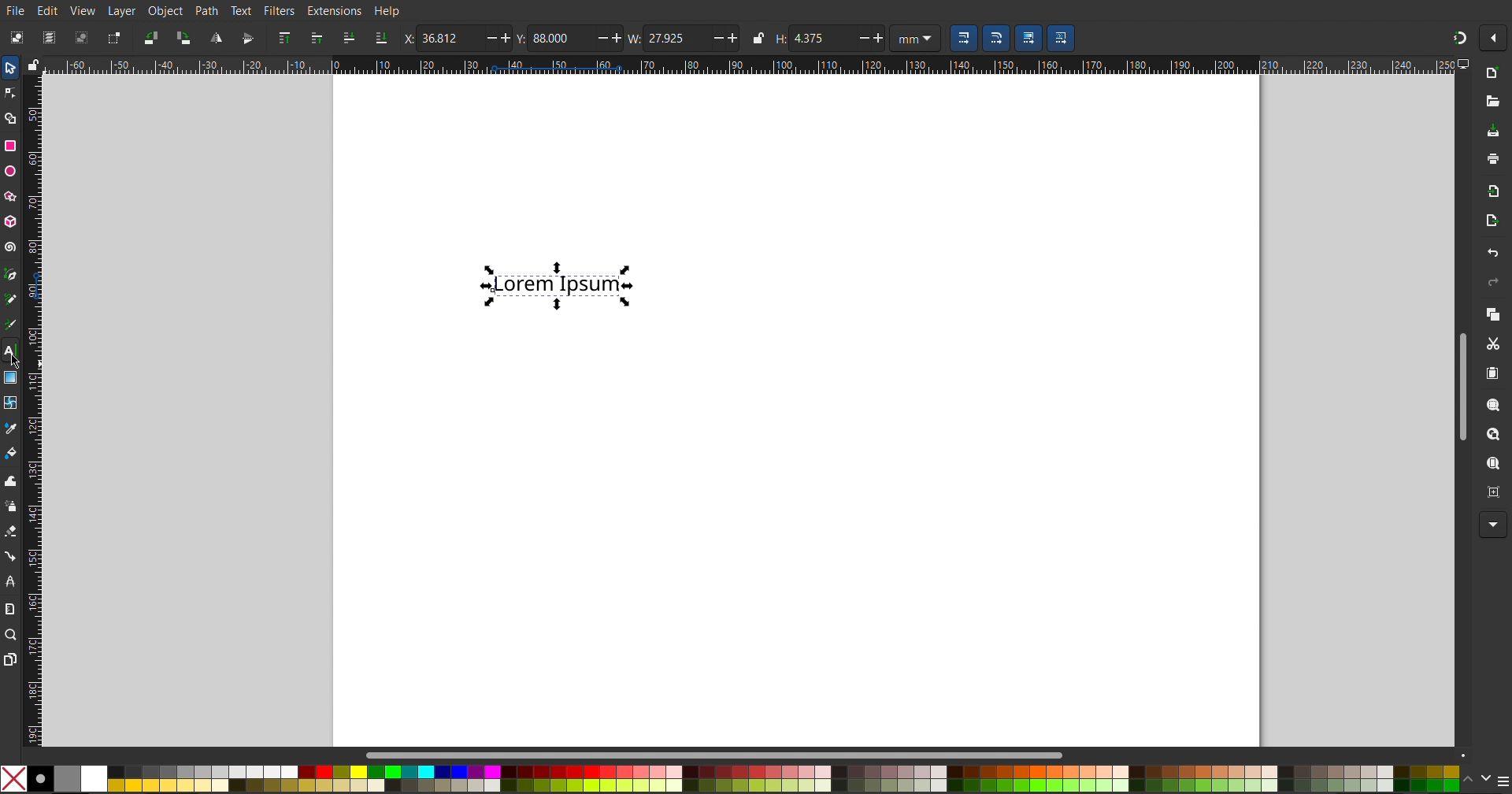  Describe the element at coordinates (15, 37) in the screenshot. I see `Select all objects` at that location.